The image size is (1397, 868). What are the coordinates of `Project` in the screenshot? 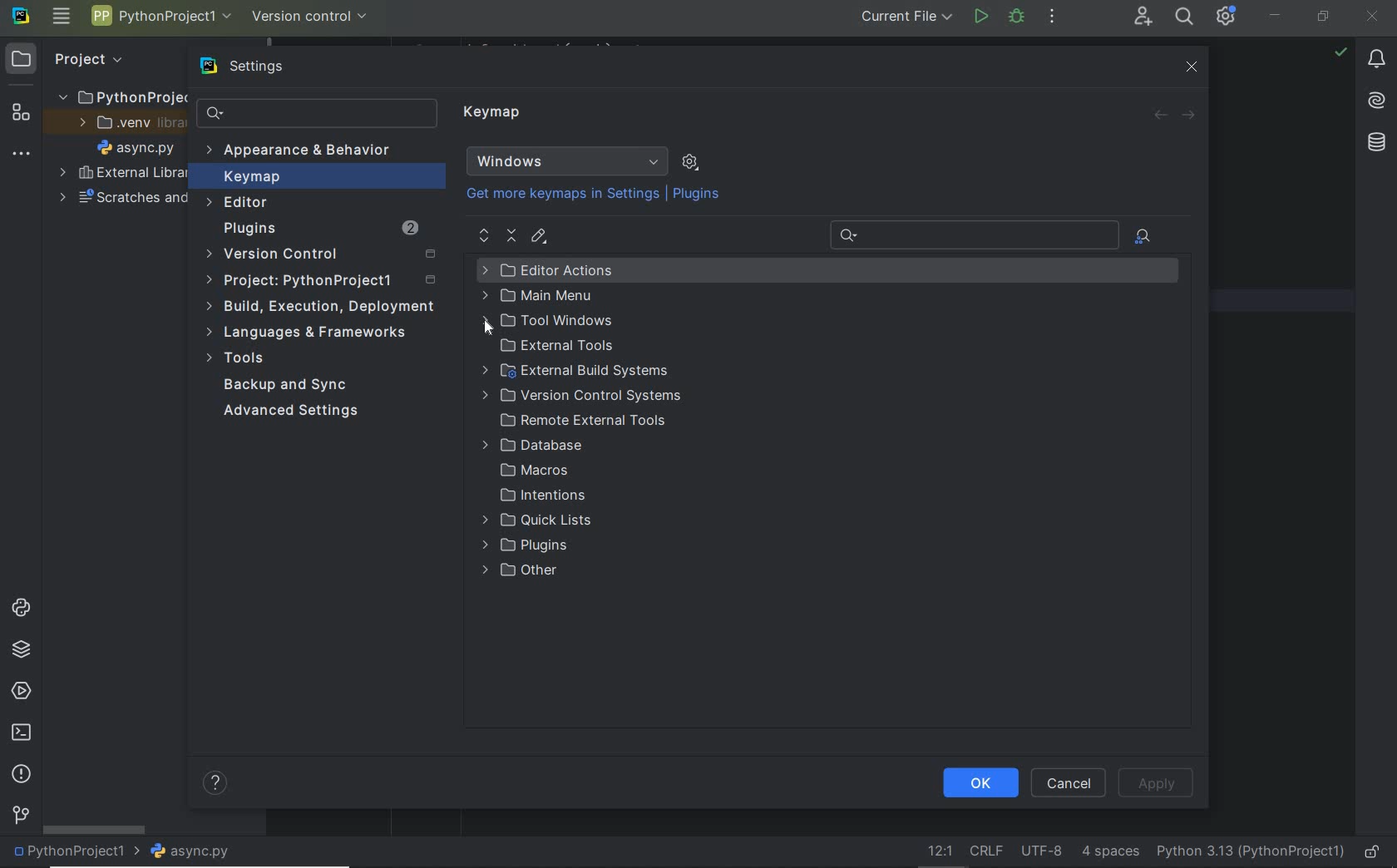 It's located at (324, 281).